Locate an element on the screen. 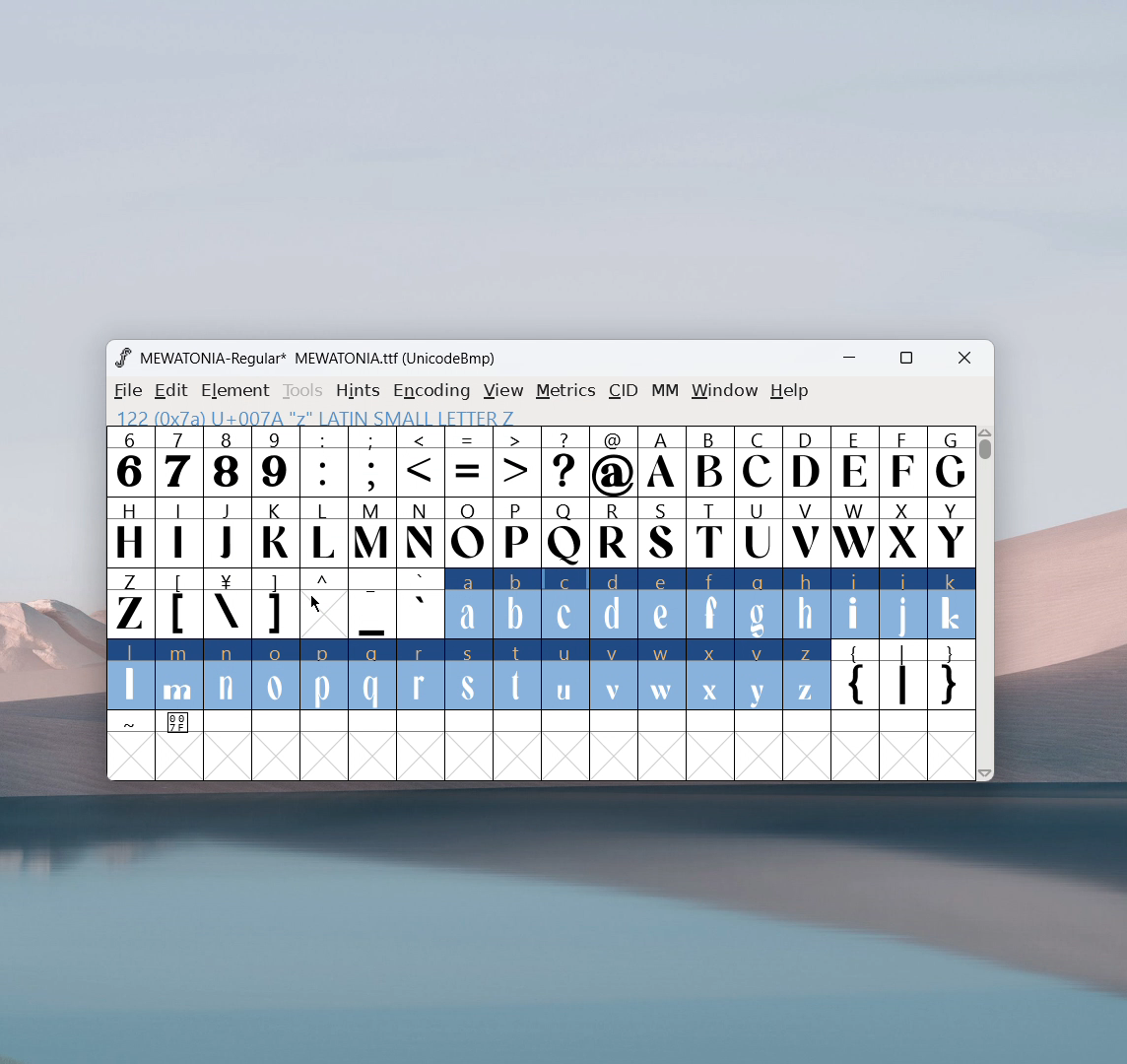 This screenshot has width=1127, height=1064. @ is located at coordinates (615, 462).